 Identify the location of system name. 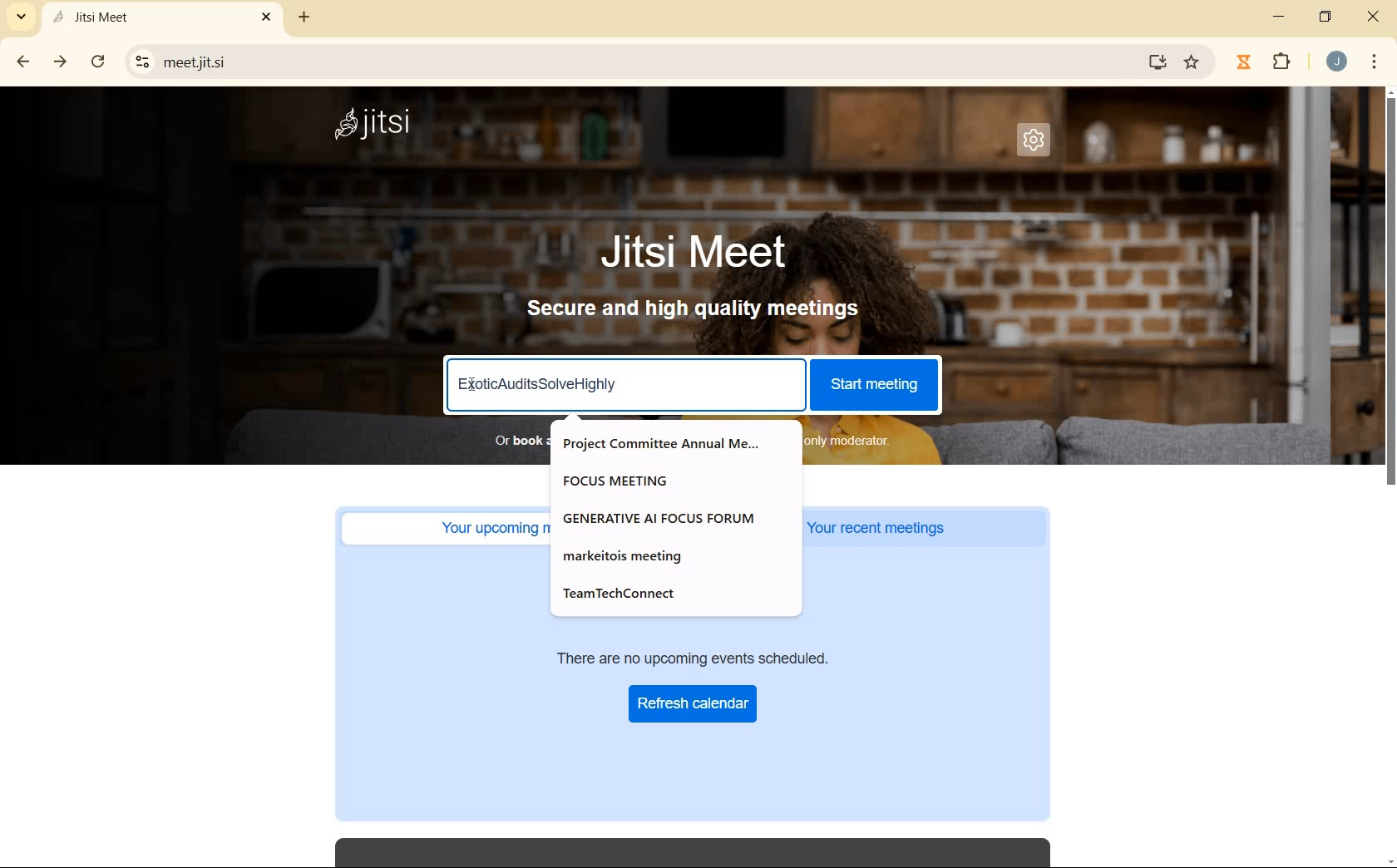
(383, 126).